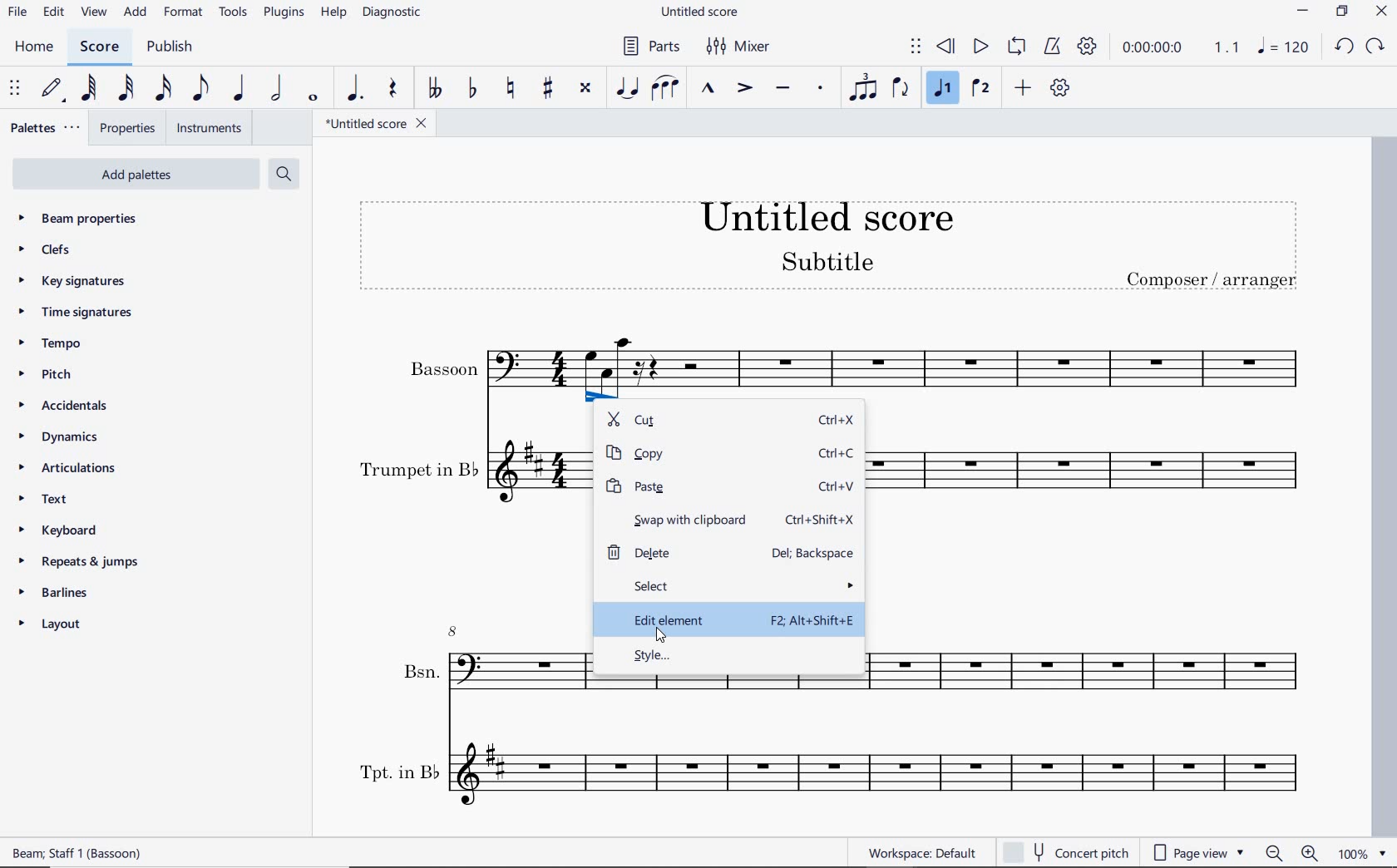 The width and height of the screenshot is (1397, 868). Describe the element at coordinates (1284, 47) in the screenshot. I see `NOTE` at that location.